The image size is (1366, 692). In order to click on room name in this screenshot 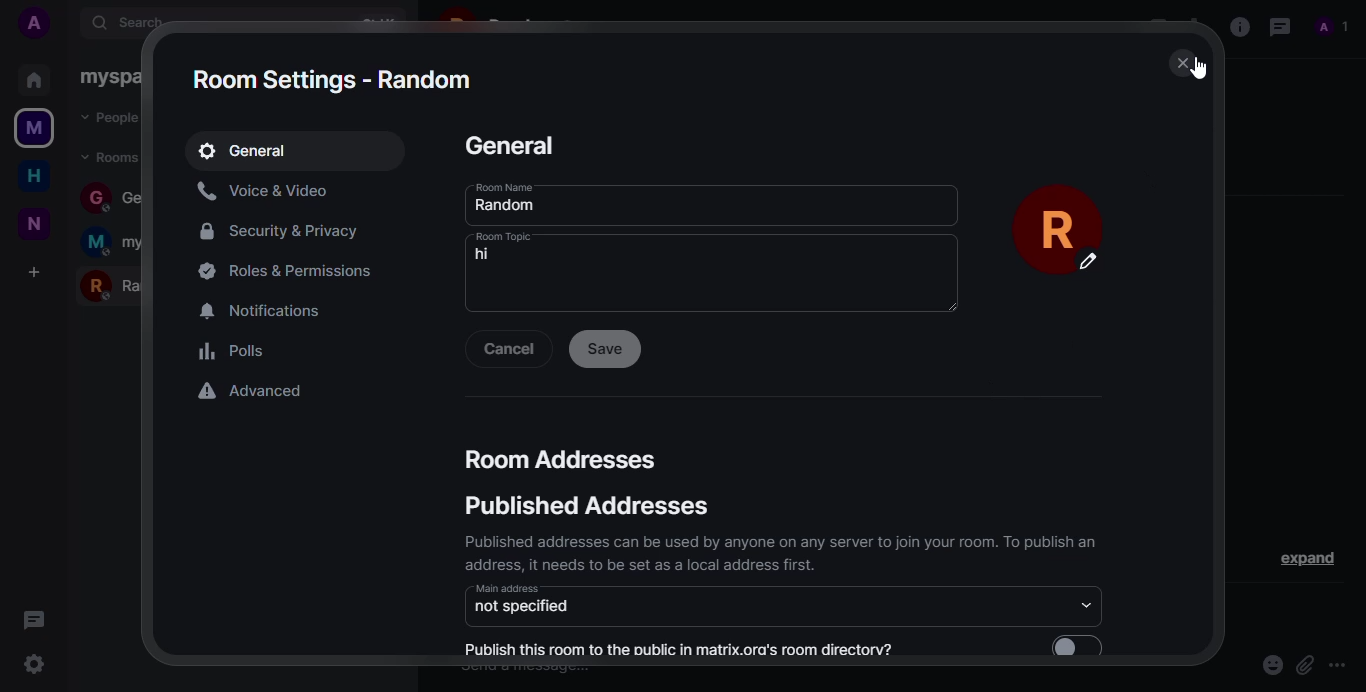, I will do `click(508, 182)`.